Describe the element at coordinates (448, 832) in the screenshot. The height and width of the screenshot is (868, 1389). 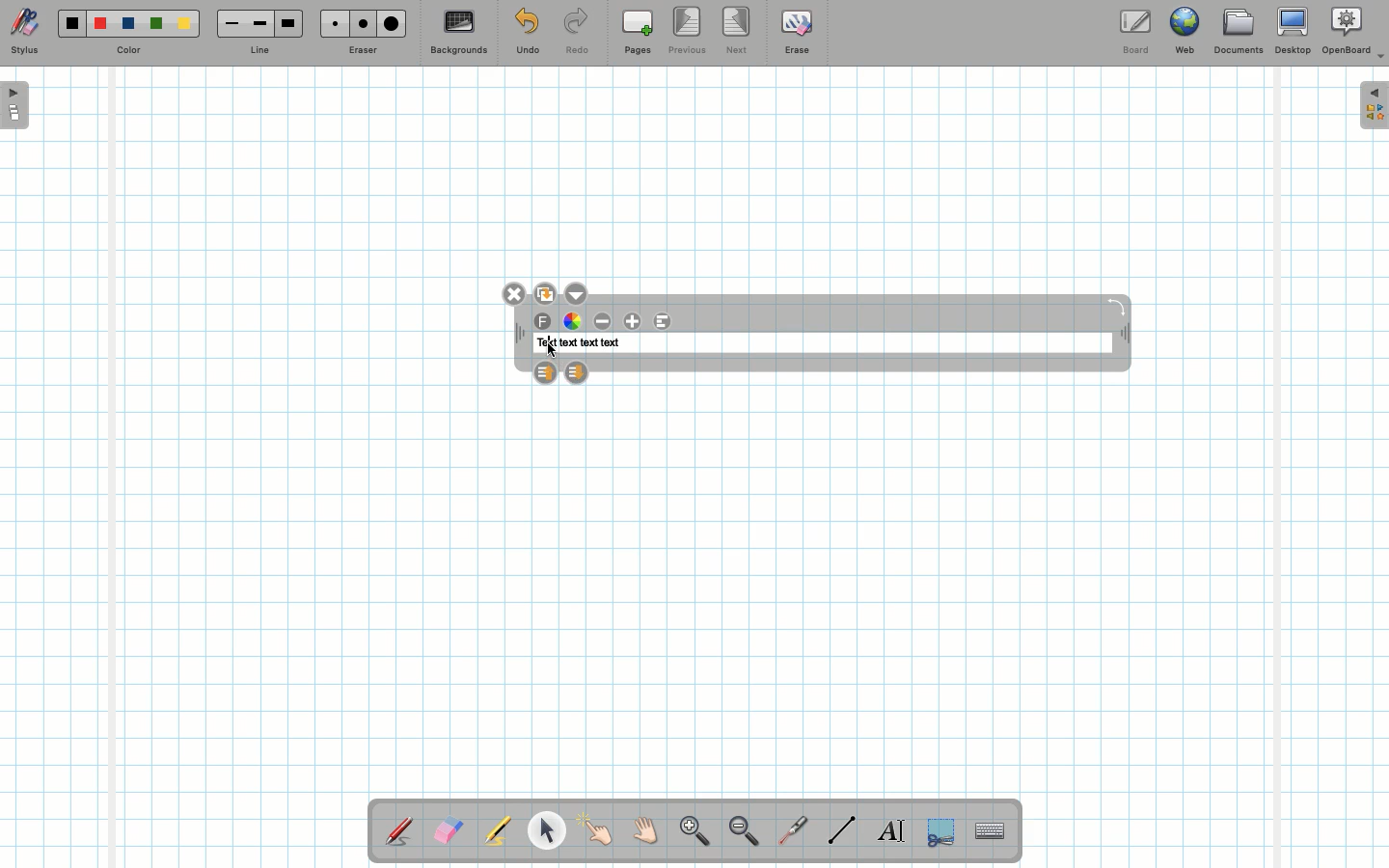
I see `Eraser` at that location.